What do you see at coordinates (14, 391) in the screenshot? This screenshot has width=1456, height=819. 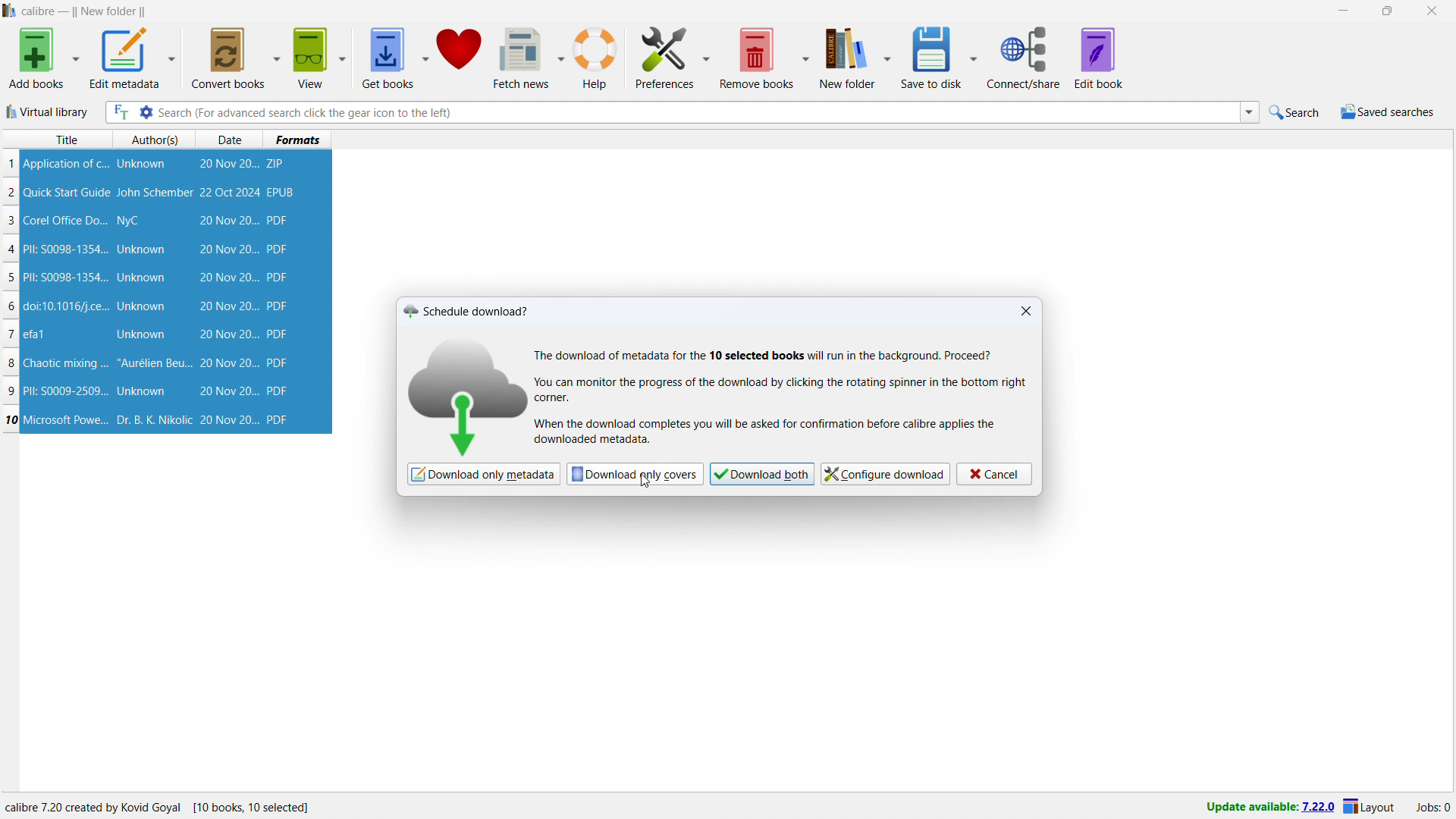 I see `9` at bounding box center [14, 391].